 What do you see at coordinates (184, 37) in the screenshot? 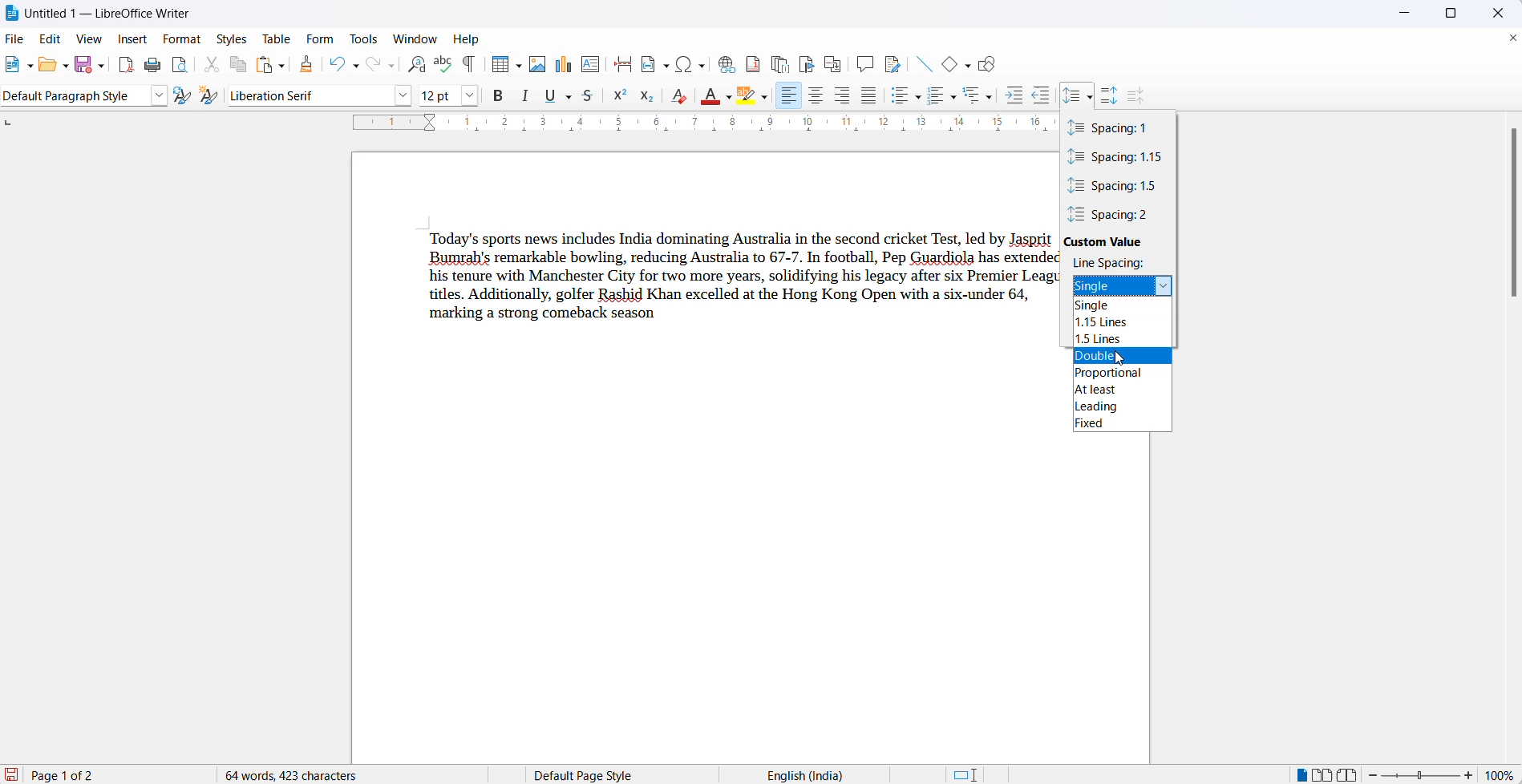
I see `format` at bounding box center [184, 37].